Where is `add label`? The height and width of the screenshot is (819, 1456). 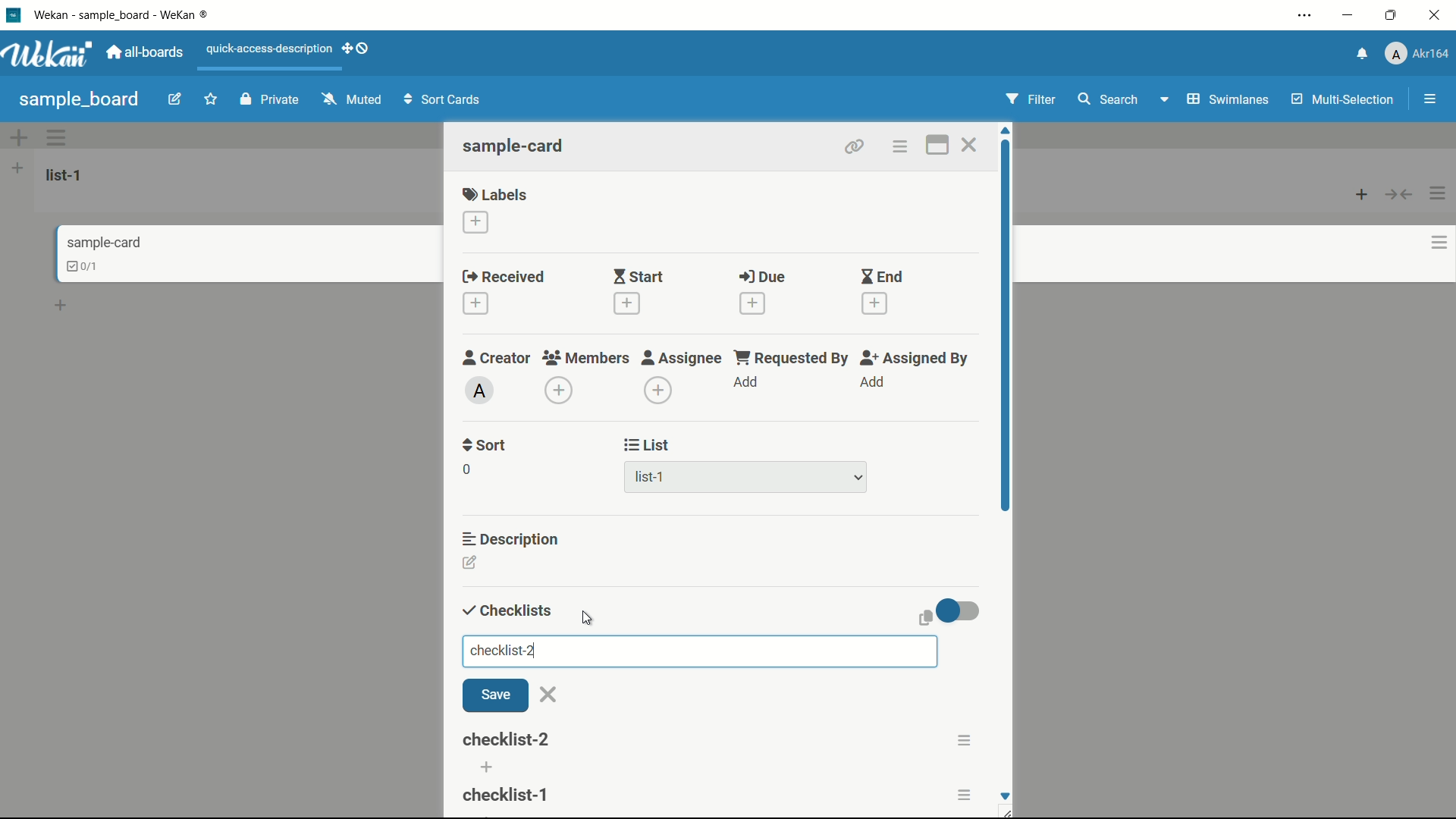 add label is located at coordinates (477, 223).